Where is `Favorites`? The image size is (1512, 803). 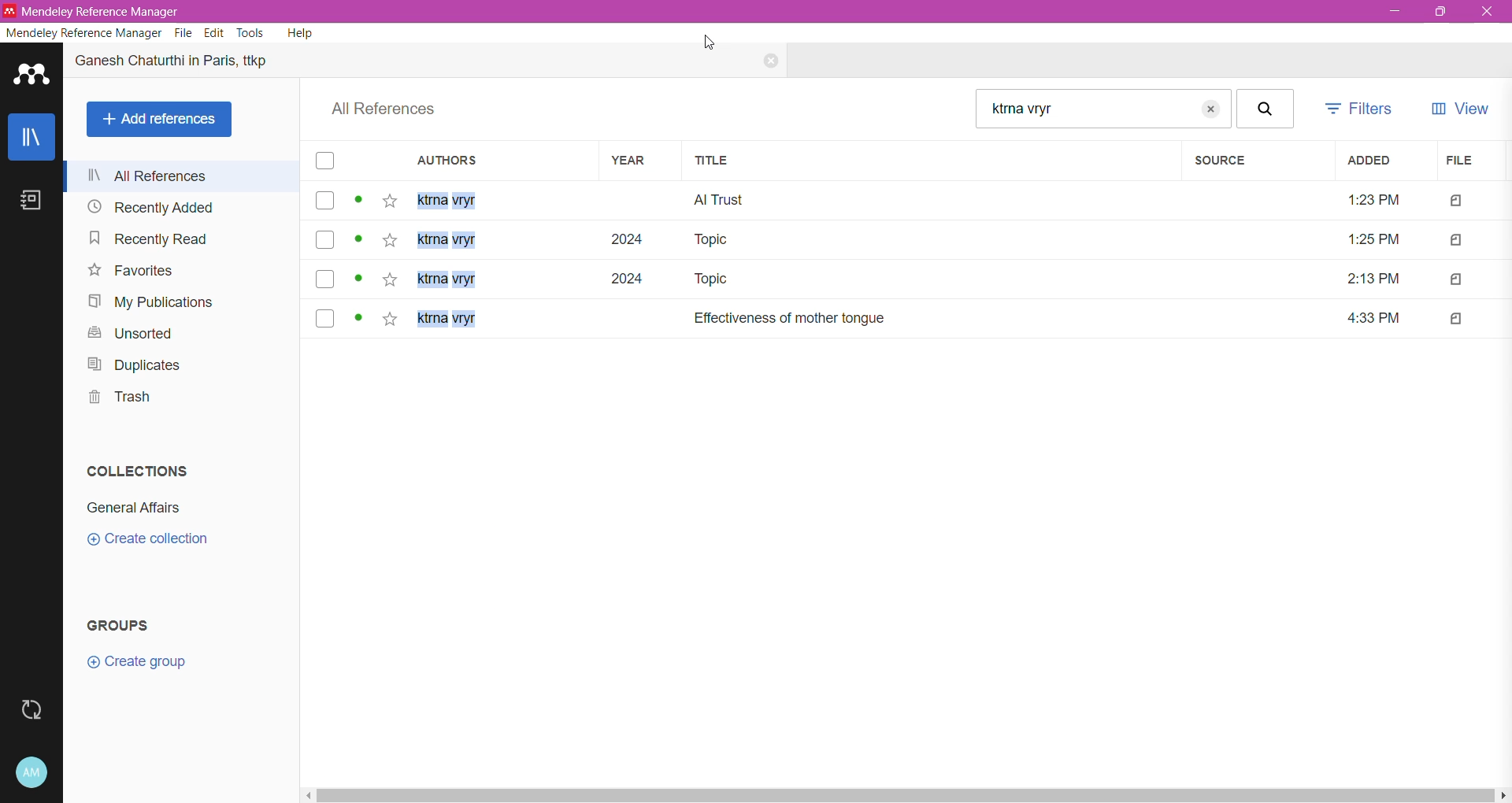 Favorites is located at coordinates (131, 271).